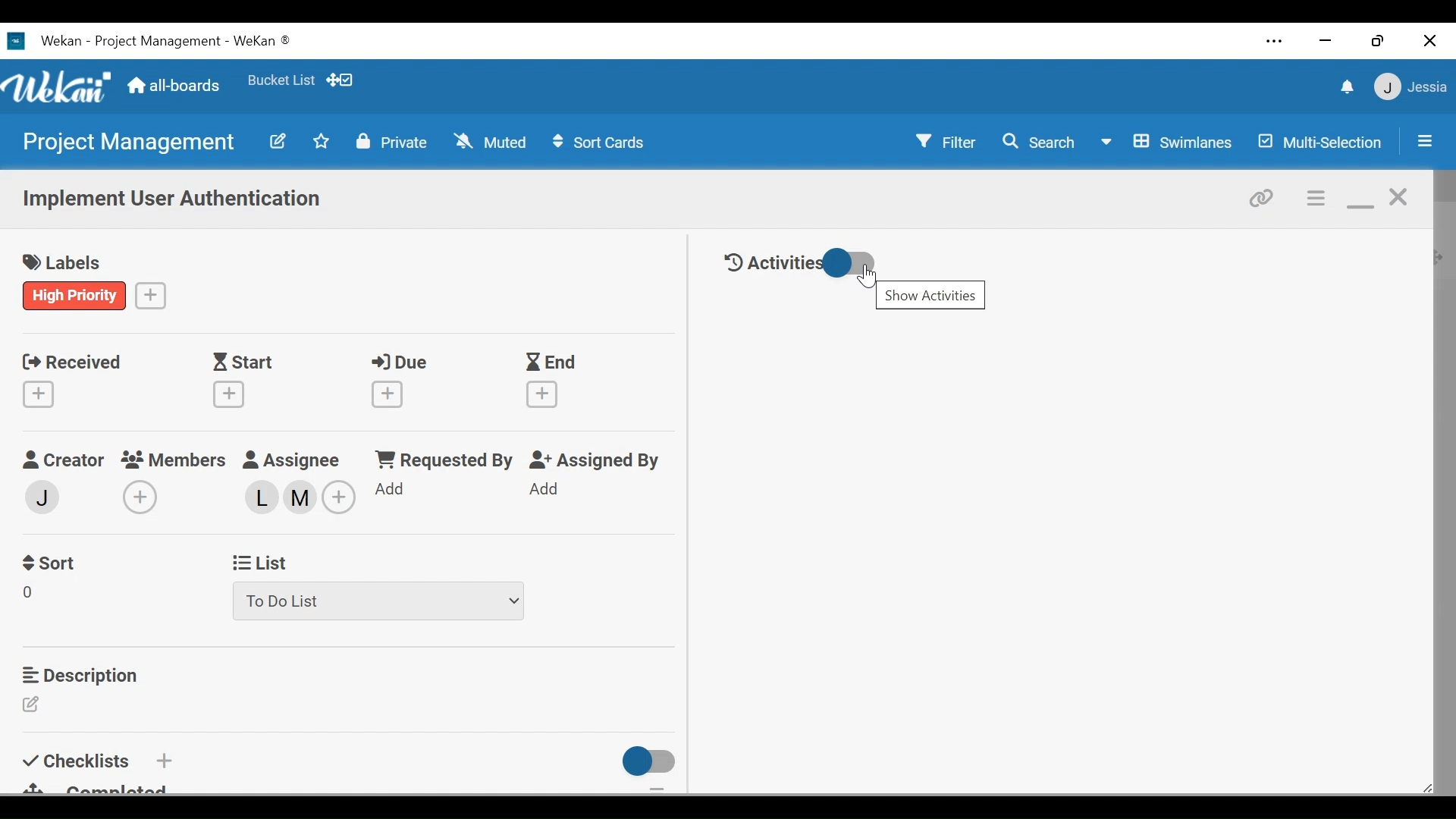 This screenshot has width=1456, height=819. What do you see at coordinates (127, 141) in the screenshot?
I see `Board name` at bounding box center [127, 141].